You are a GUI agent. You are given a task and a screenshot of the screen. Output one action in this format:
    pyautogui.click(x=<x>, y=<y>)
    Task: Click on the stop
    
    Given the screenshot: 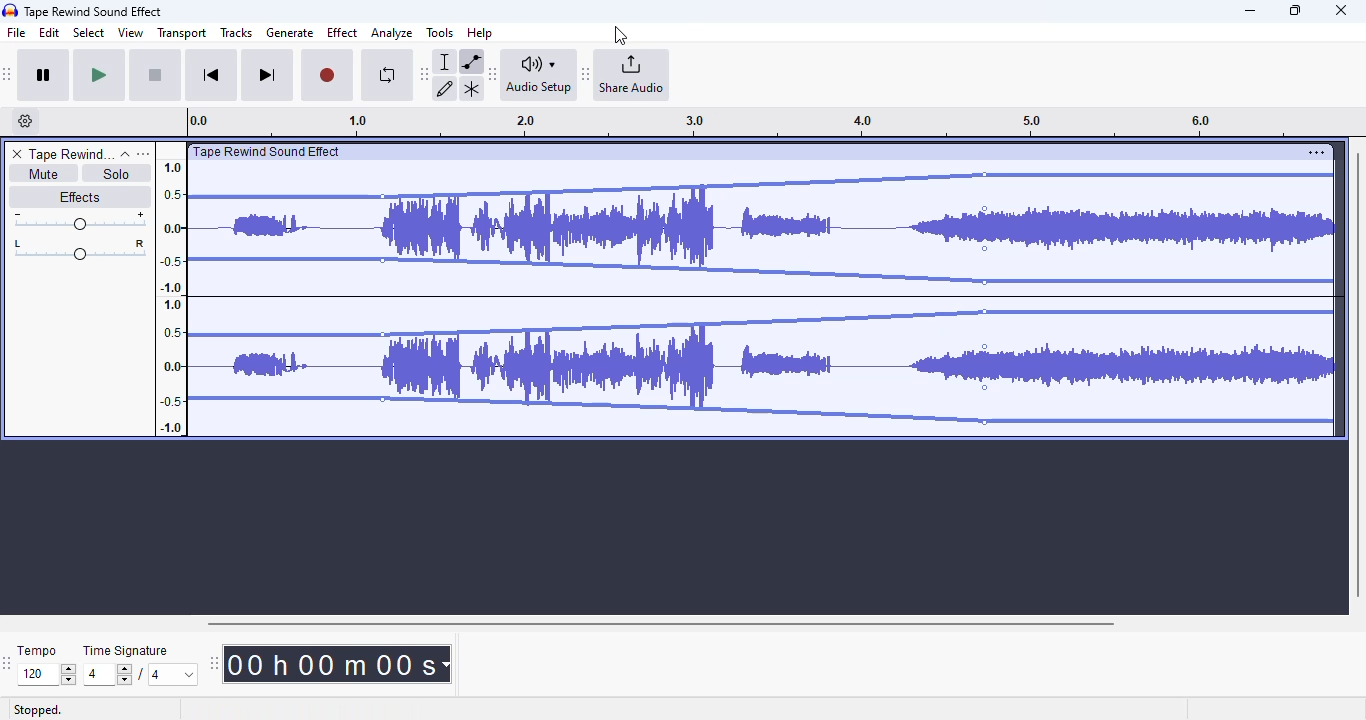 What is the action you would take?
    pyautogui.click(x=155, y=76)
    